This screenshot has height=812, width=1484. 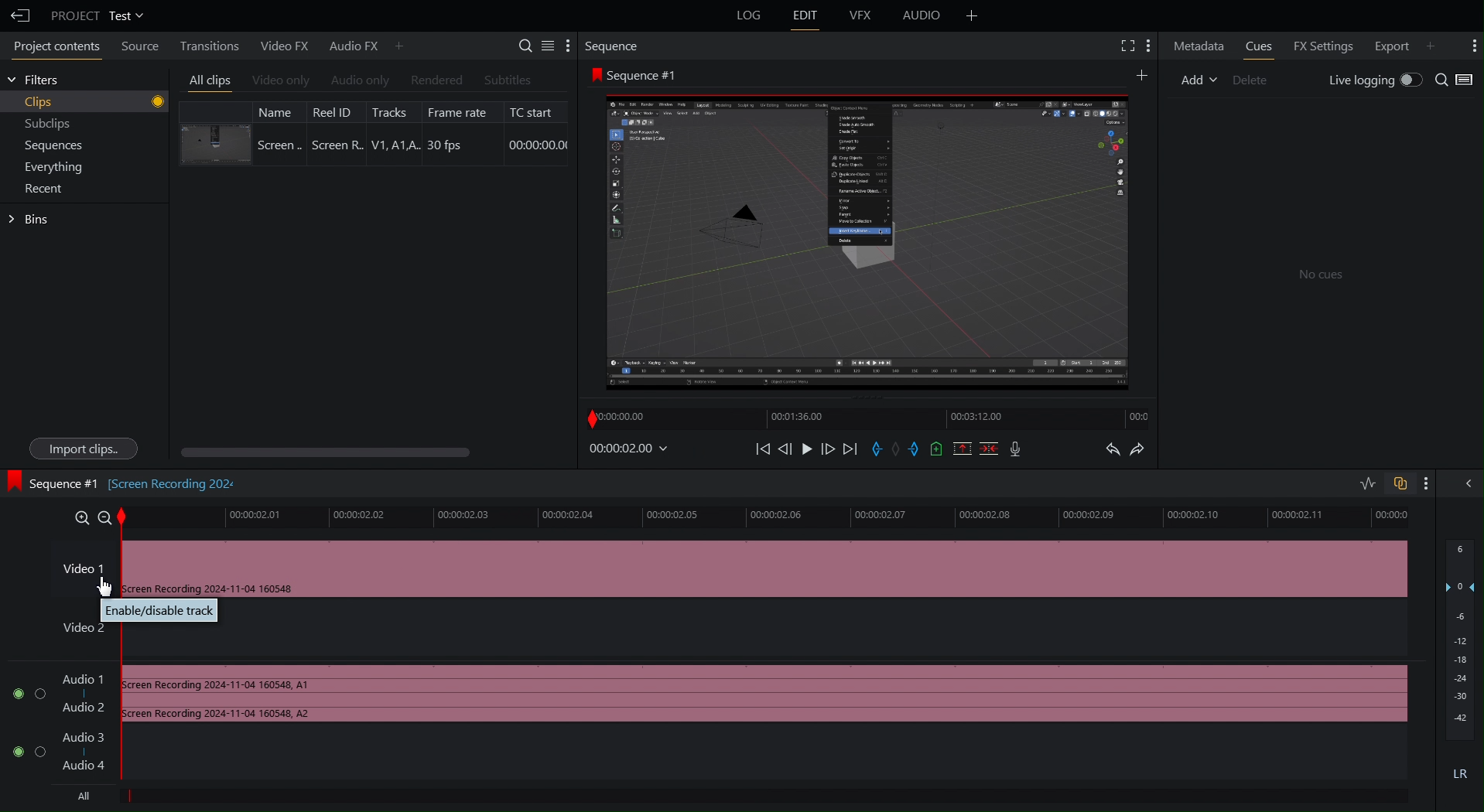 What do you see at coordinates (89, 797) in the screenshot?
I see `All` at bounding box center [89, 797].